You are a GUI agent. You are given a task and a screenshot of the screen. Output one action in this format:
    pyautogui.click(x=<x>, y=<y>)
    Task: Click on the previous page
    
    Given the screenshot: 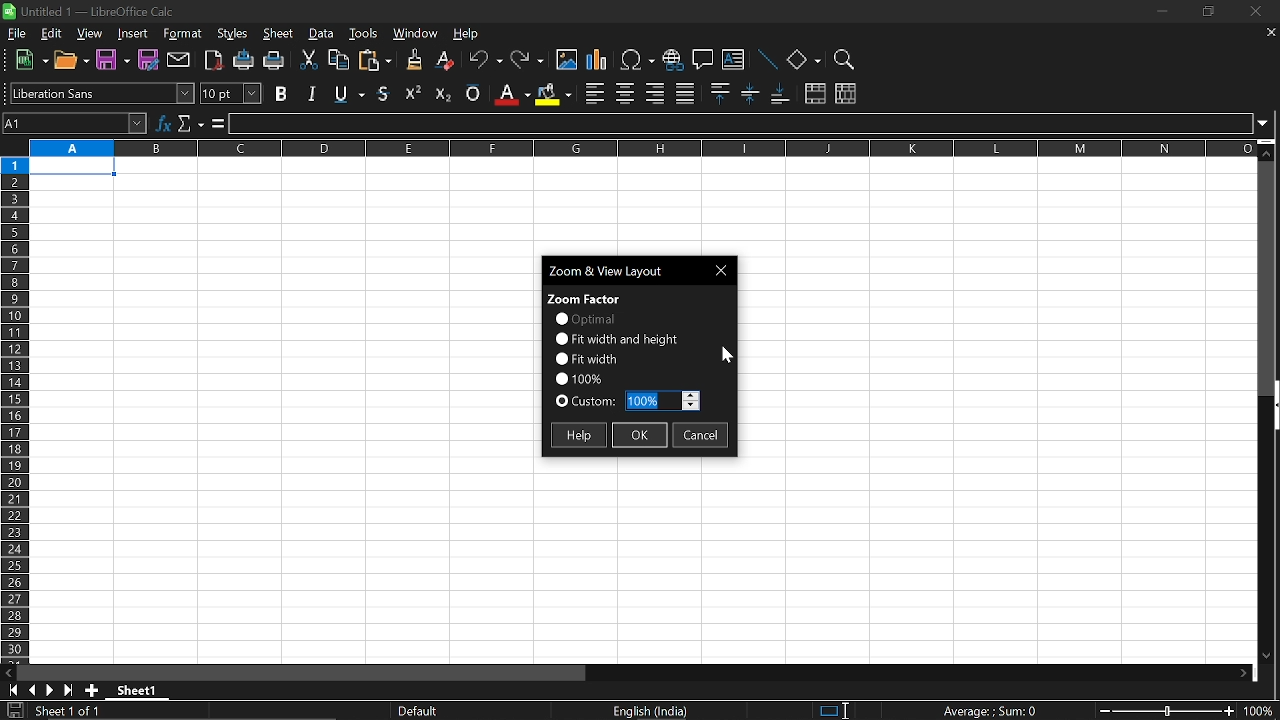 What is the action you would take?
    pyautogui.click(x=32, y=690)
    